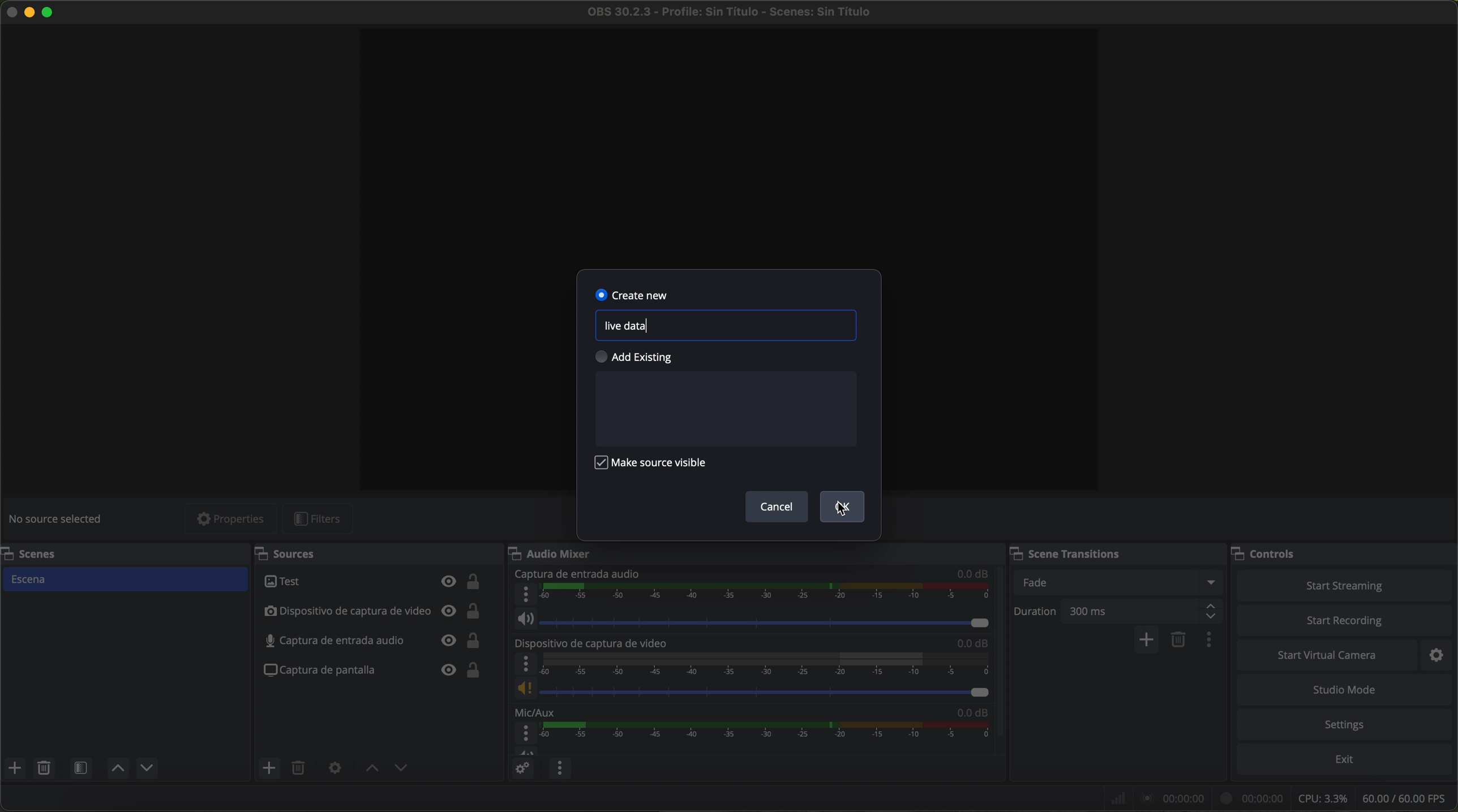 This screenshot has height=812, width=1458. Describe the element at coordinates (1345, 622) in the screenshot. I see `start recording` at that location.